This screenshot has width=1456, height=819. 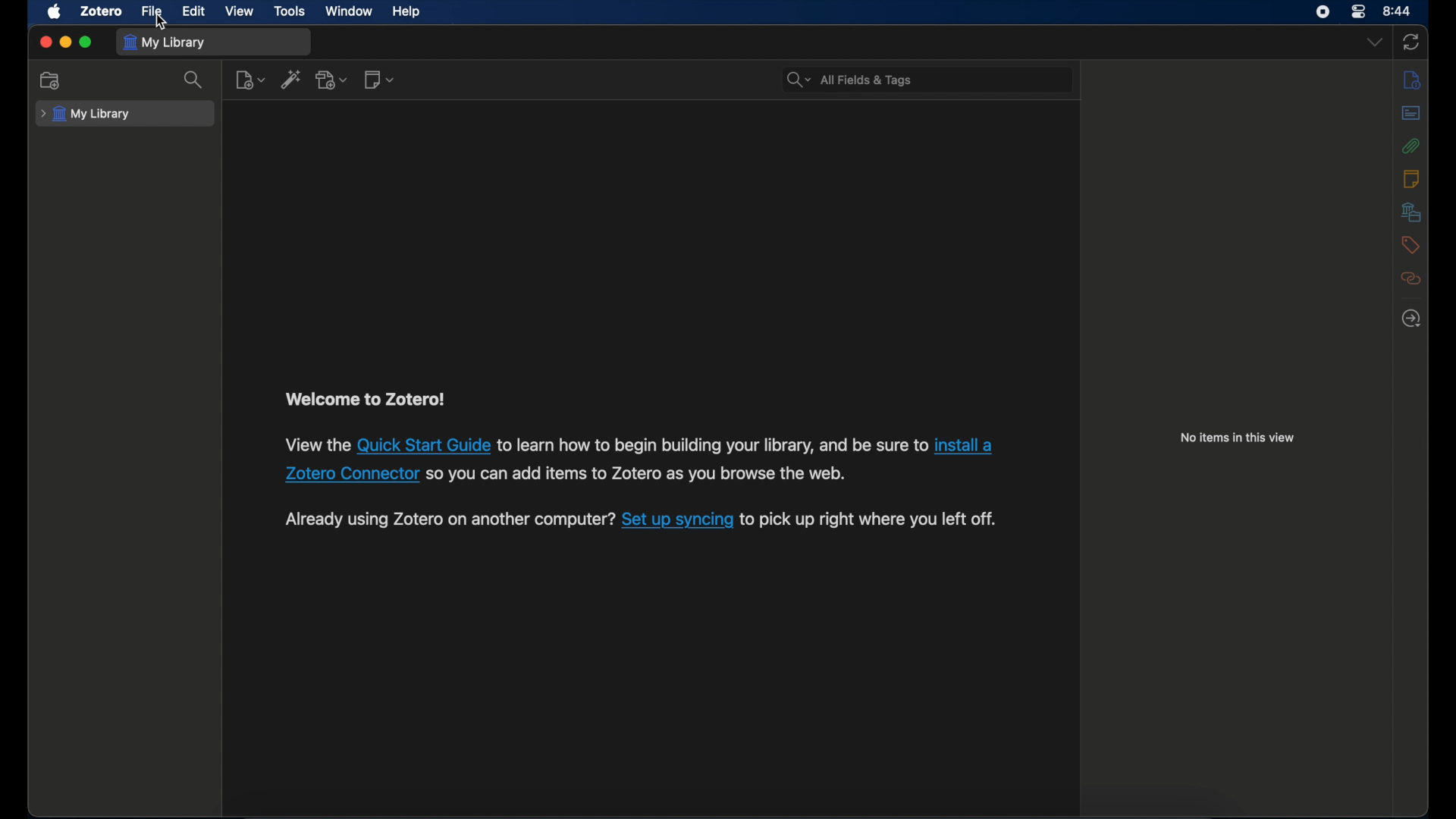 I want to click on window, so click(x=347, y=11).